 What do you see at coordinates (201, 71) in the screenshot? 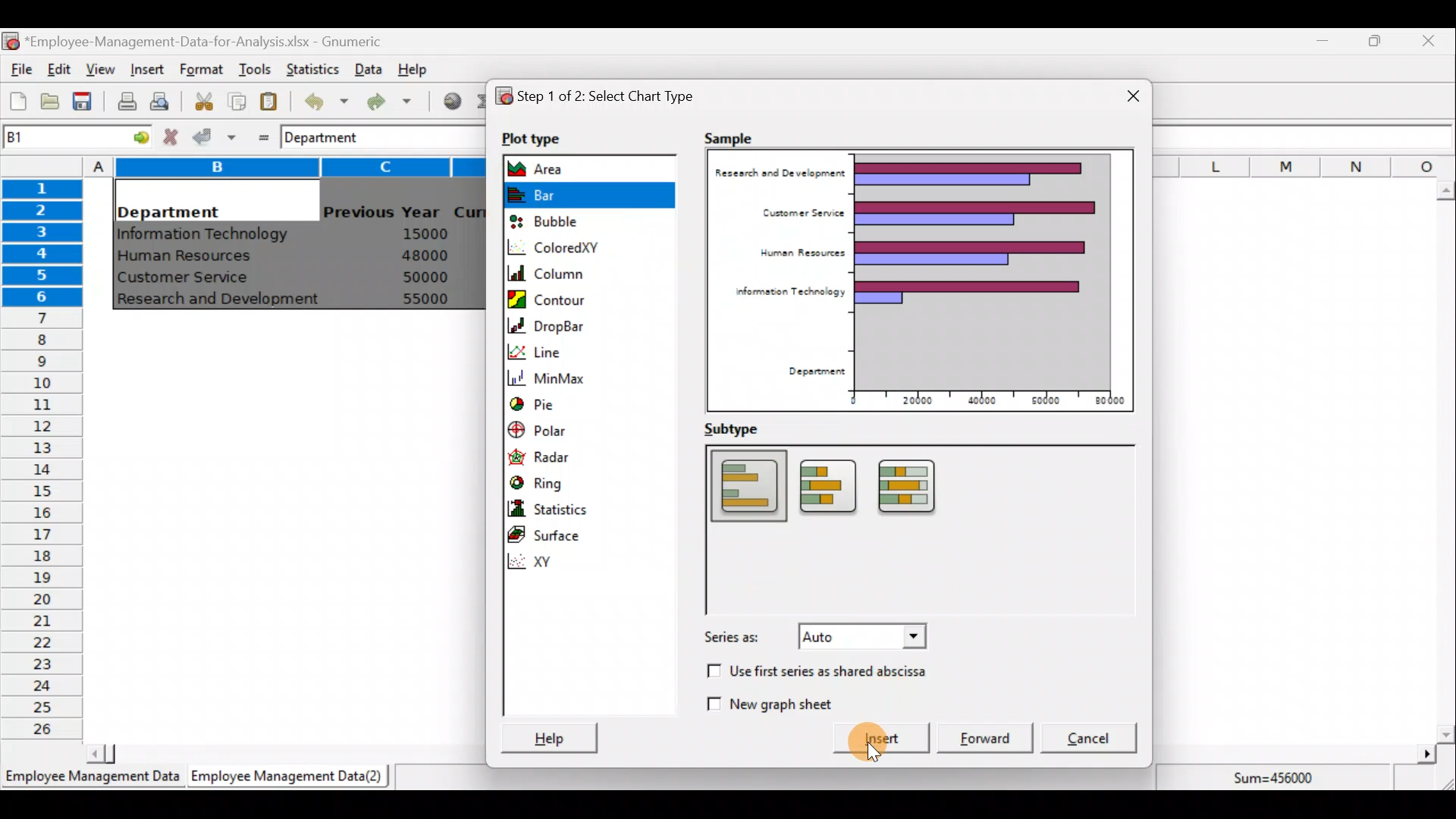
I see `Format` at bounding box center [201, 71].